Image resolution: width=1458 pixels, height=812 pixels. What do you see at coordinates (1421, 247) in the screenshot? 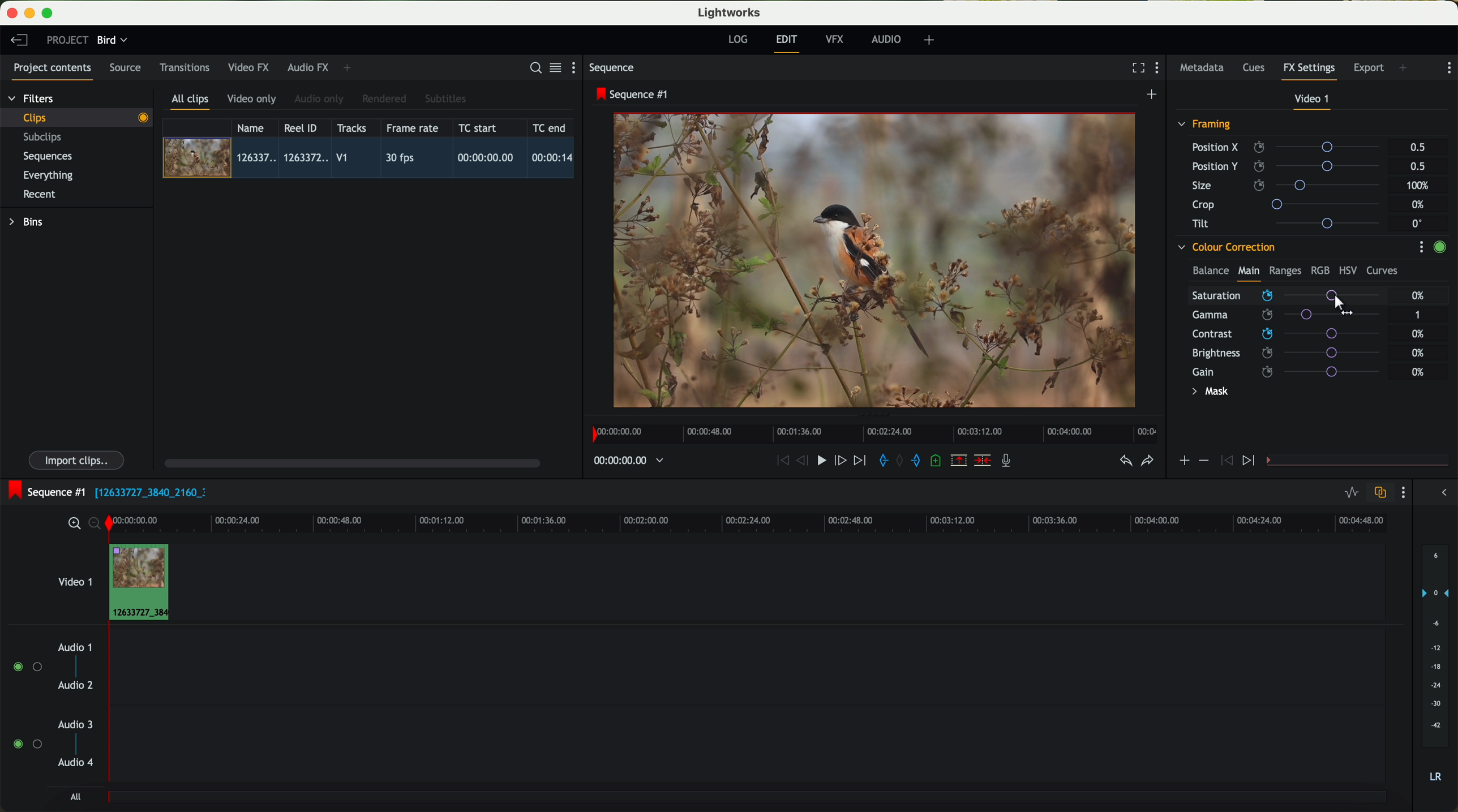
I see `show settings menu` at bounding box center [1421, 247].